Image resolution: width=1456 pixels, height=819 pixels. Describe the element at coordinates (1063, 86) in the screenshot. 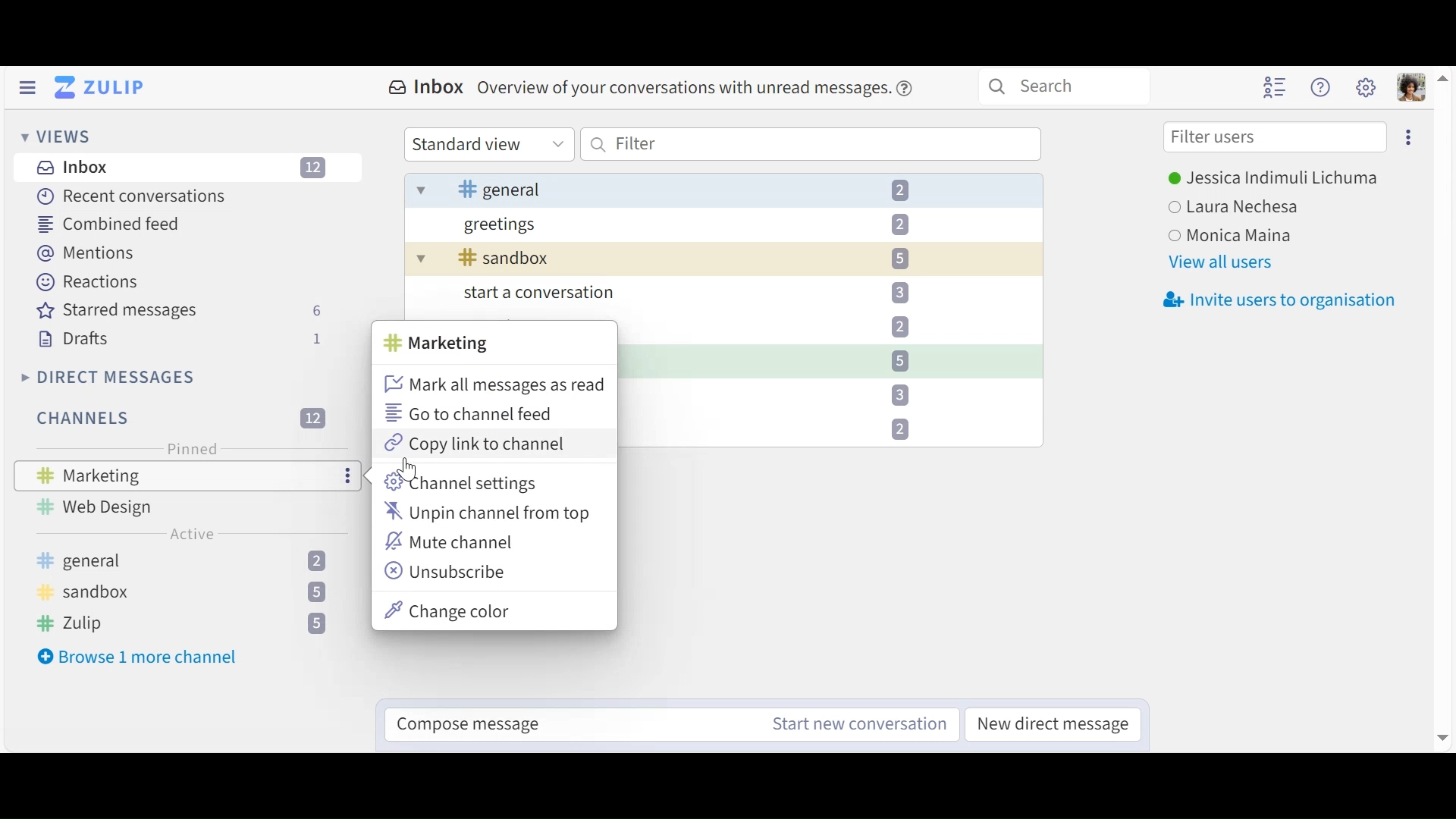

I see `Search` at that location.